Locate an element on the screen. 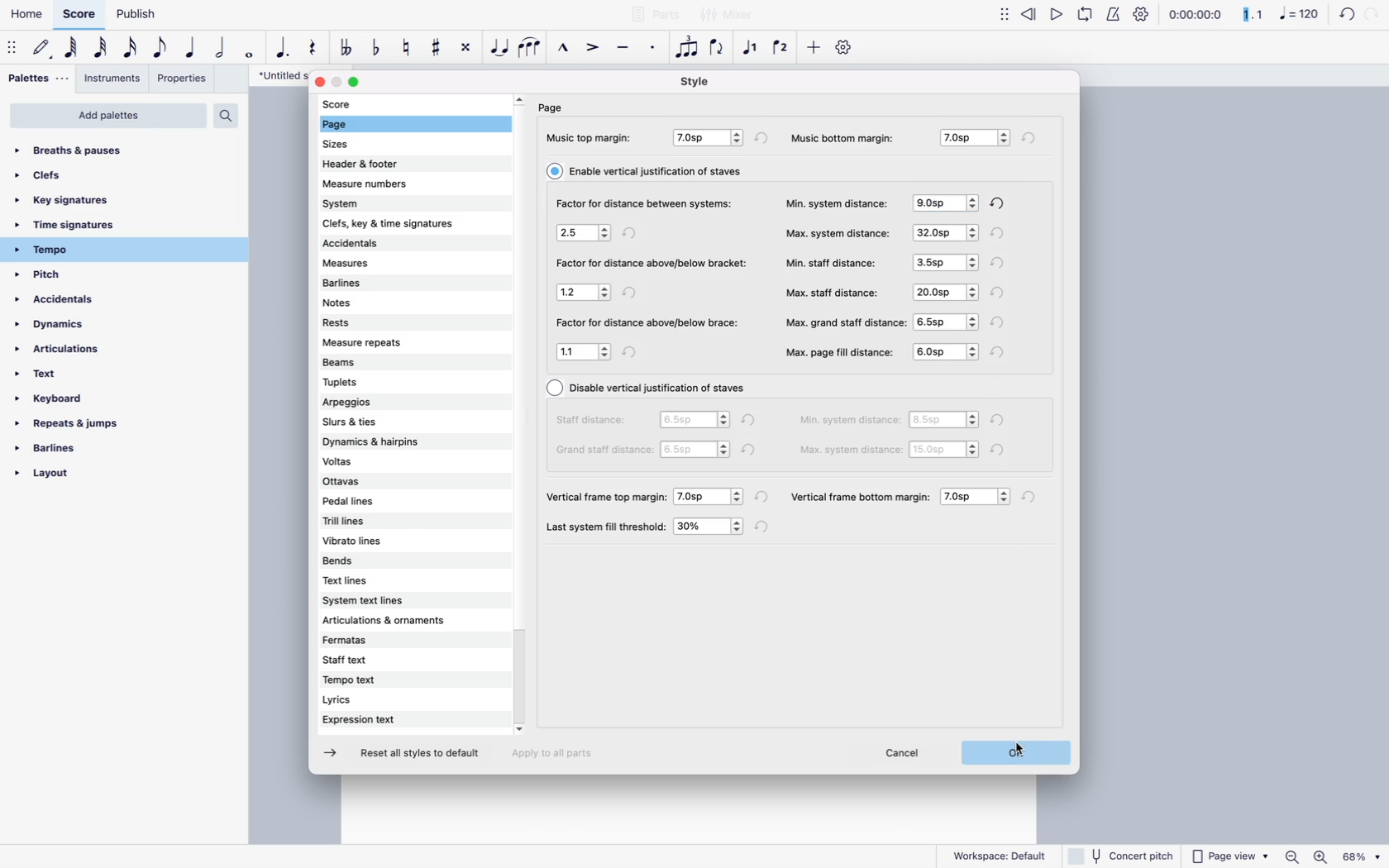 This screenshot has width=1389, height=868. toggle sharp is located at coordinates (438, 46).